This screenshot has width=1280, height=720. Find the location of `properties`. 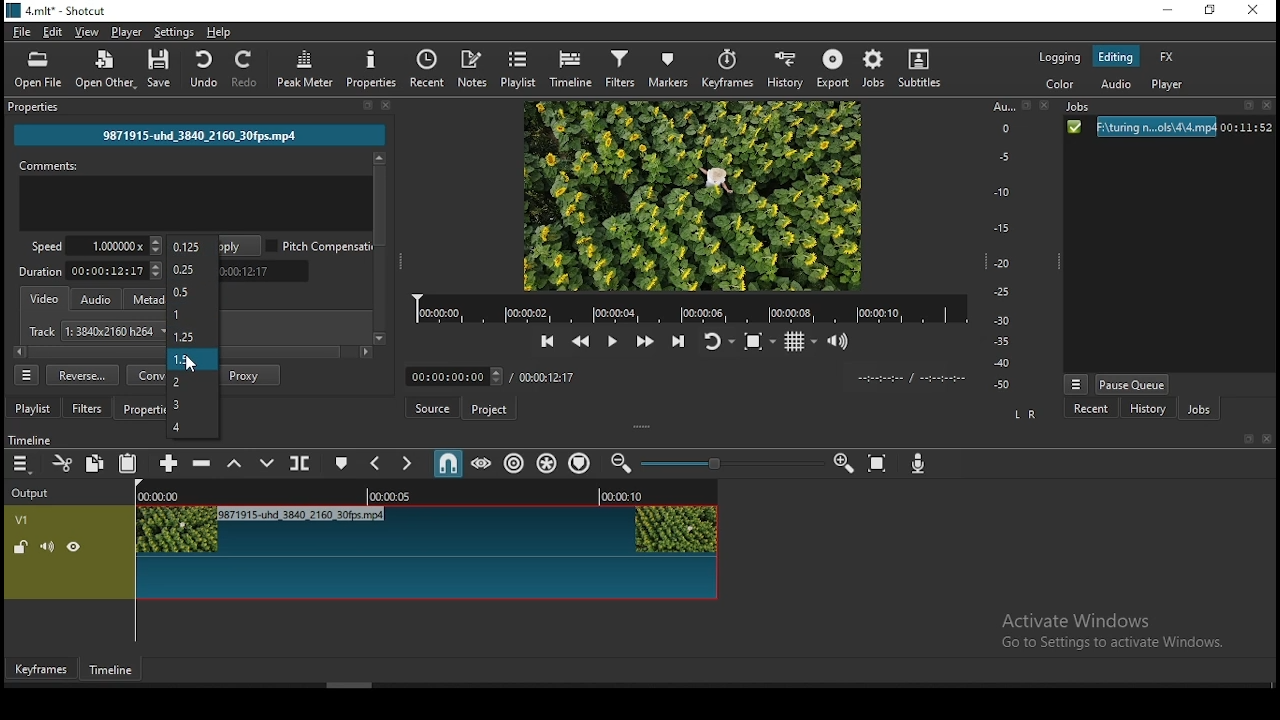

properties is located at coordinates (34, 105).